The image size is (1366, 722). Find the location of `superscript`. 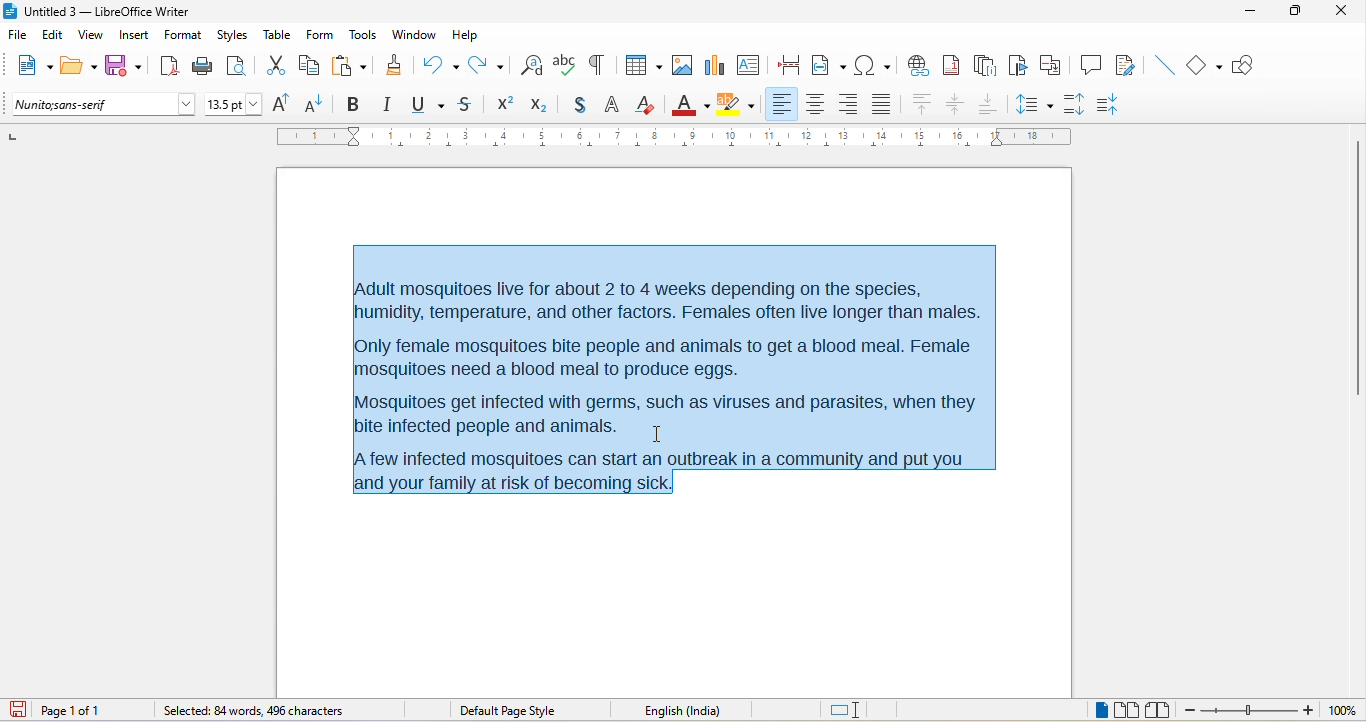

superscript is located at coordinates (505, 104).